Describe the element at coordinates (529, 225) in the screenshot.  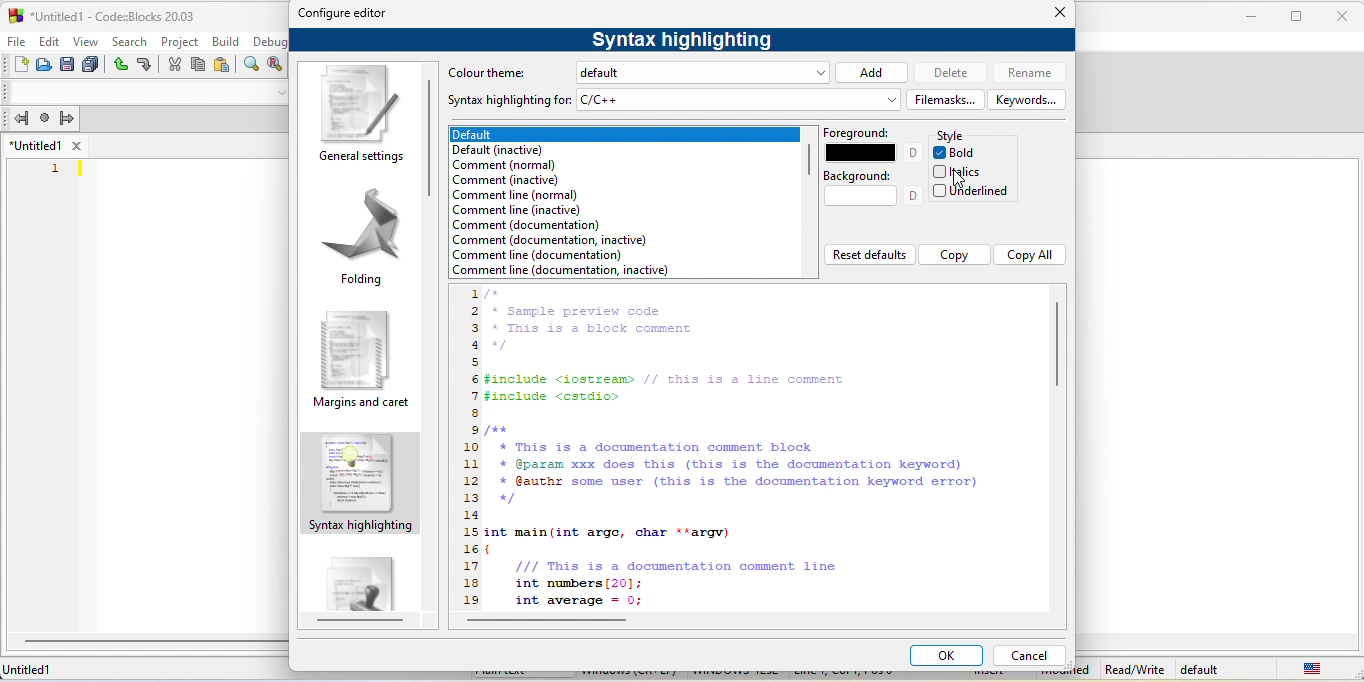
I see `comment documentation` at that location.